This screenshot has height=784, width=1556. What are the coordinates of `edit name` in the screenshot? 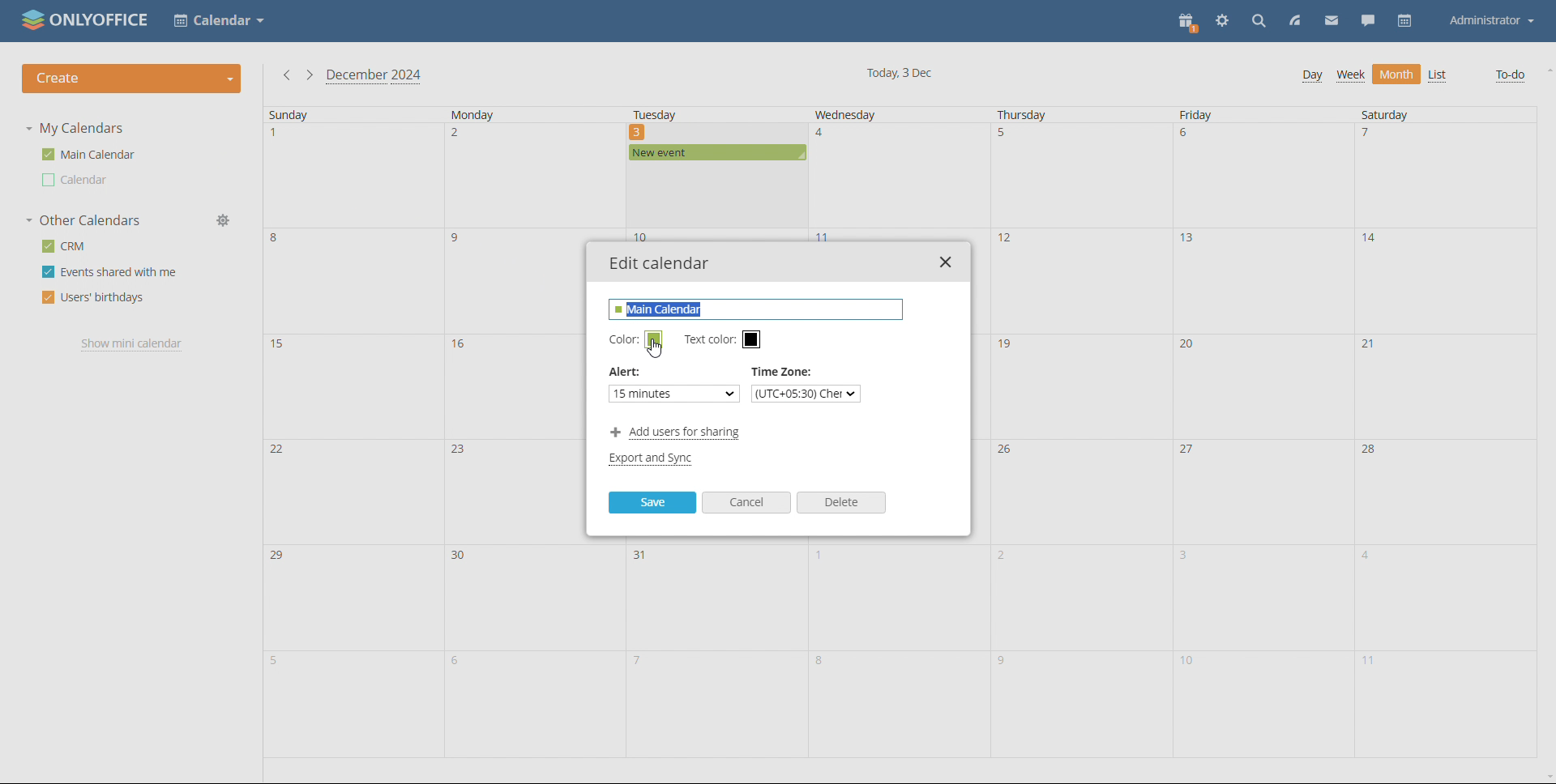 It's located at (756, 309).